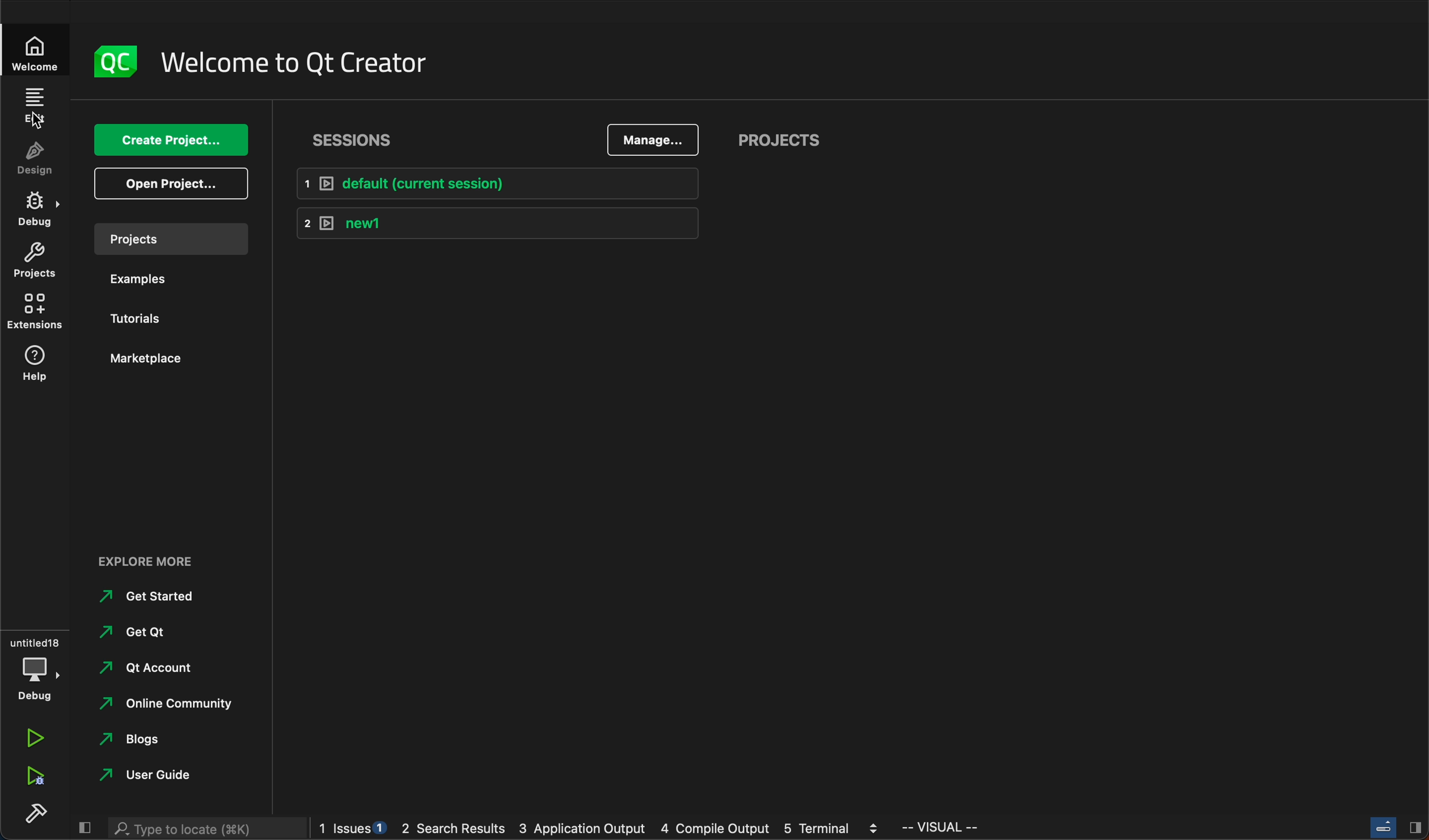 The width and height of the screenshot is (1429, 840). I want to click on extensions, so click(35, 313).